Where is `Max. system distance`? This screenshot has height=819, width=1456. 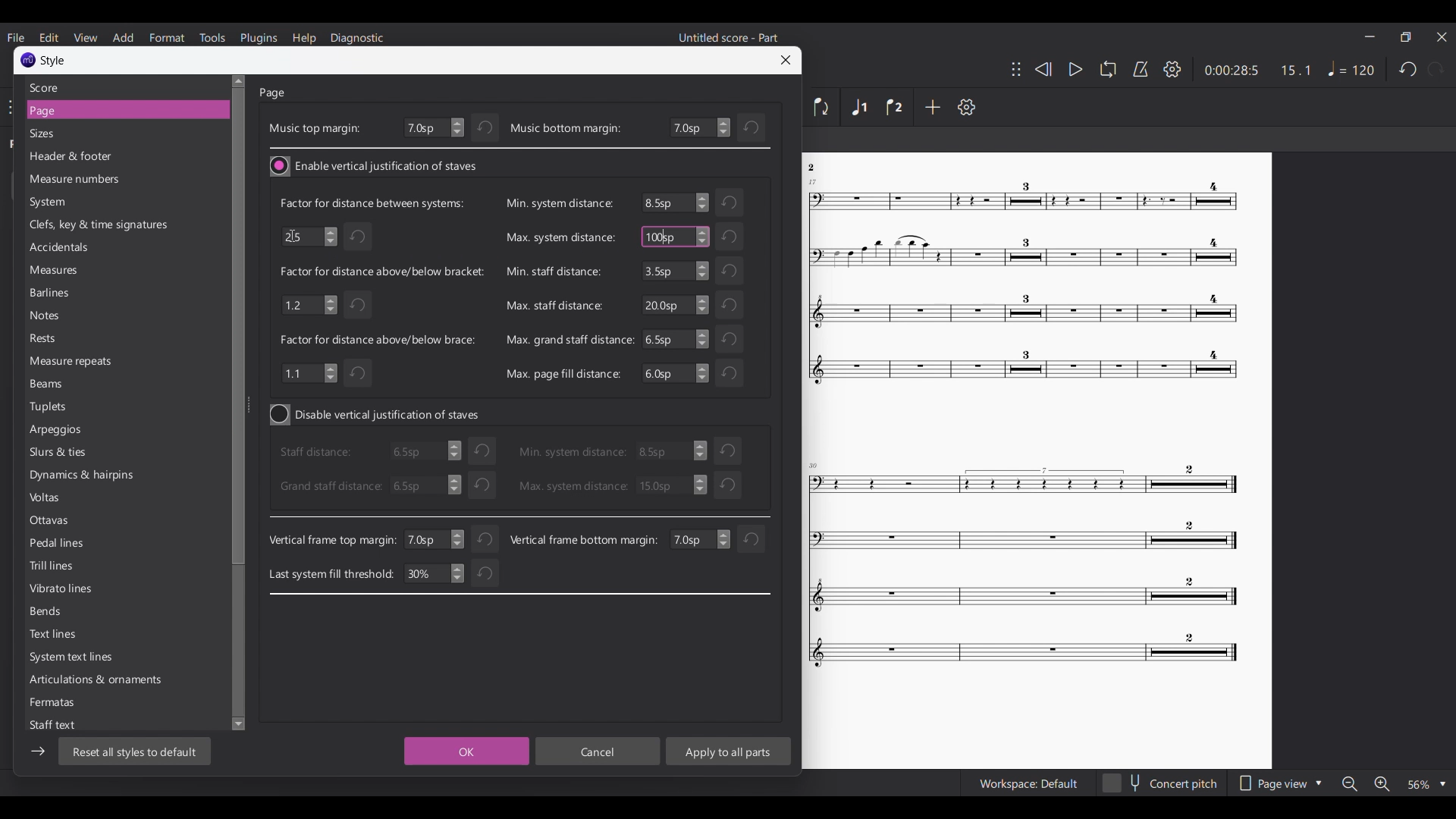
Max. system distance is located at coordinates (559, 239).